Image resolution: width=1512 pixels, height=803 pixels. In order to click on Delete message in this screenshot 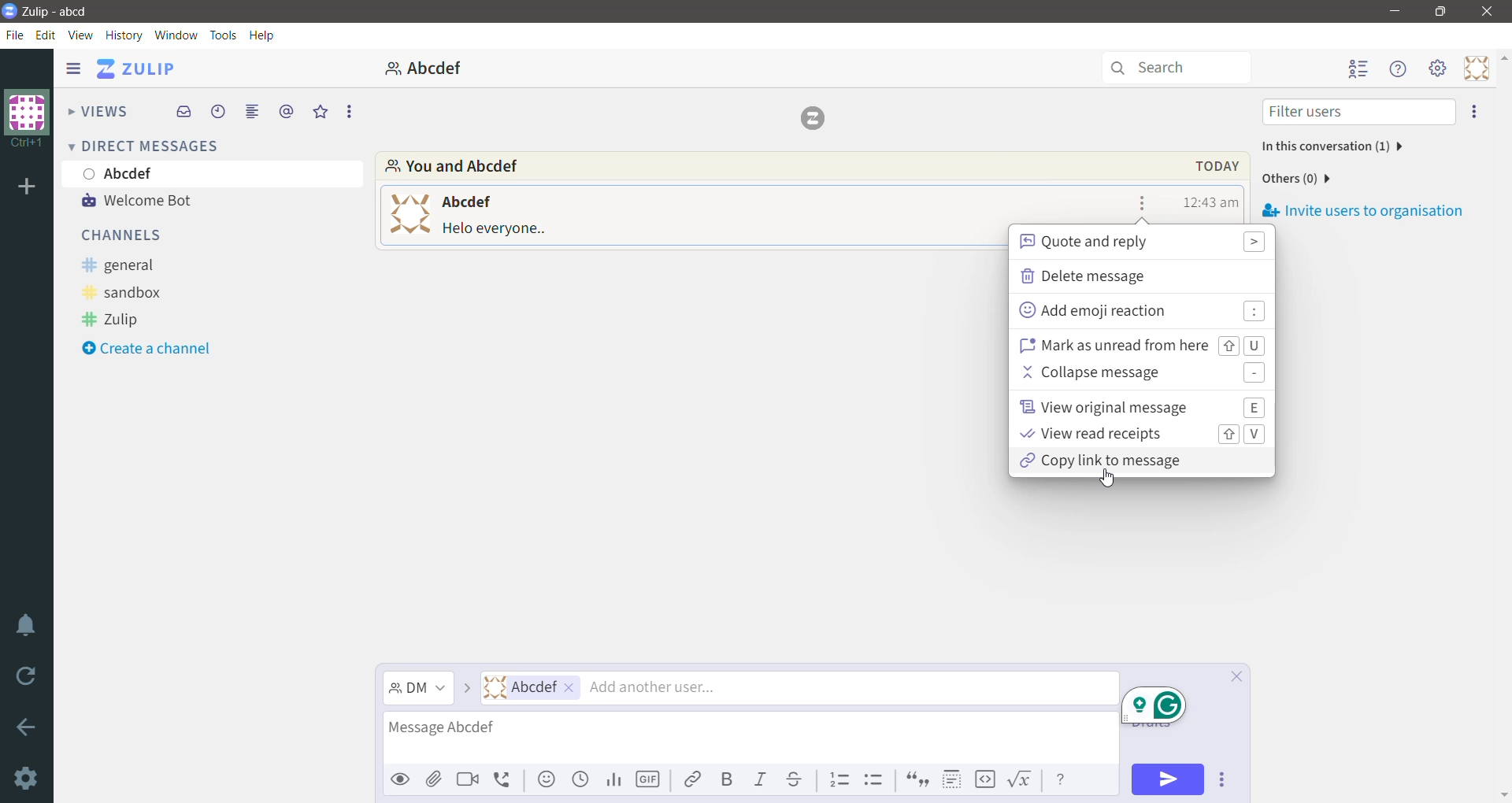, I will do `click(1091, 277)`.